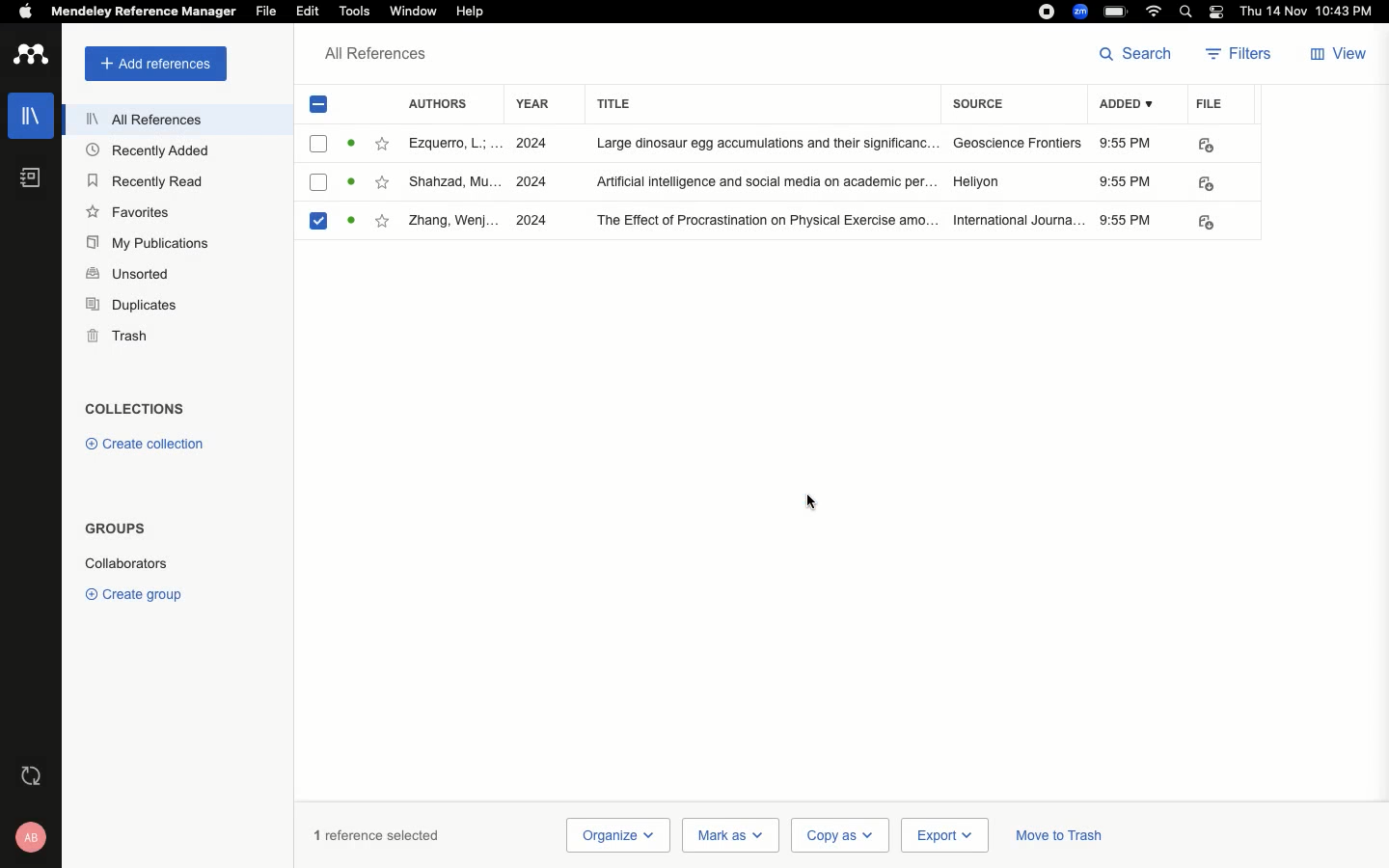 This screenshot has height=868, width=1389. What do you see at coordinates (377, 834) in the screenshot?
I see `1 reference selected` at bounding box center [377, 834].